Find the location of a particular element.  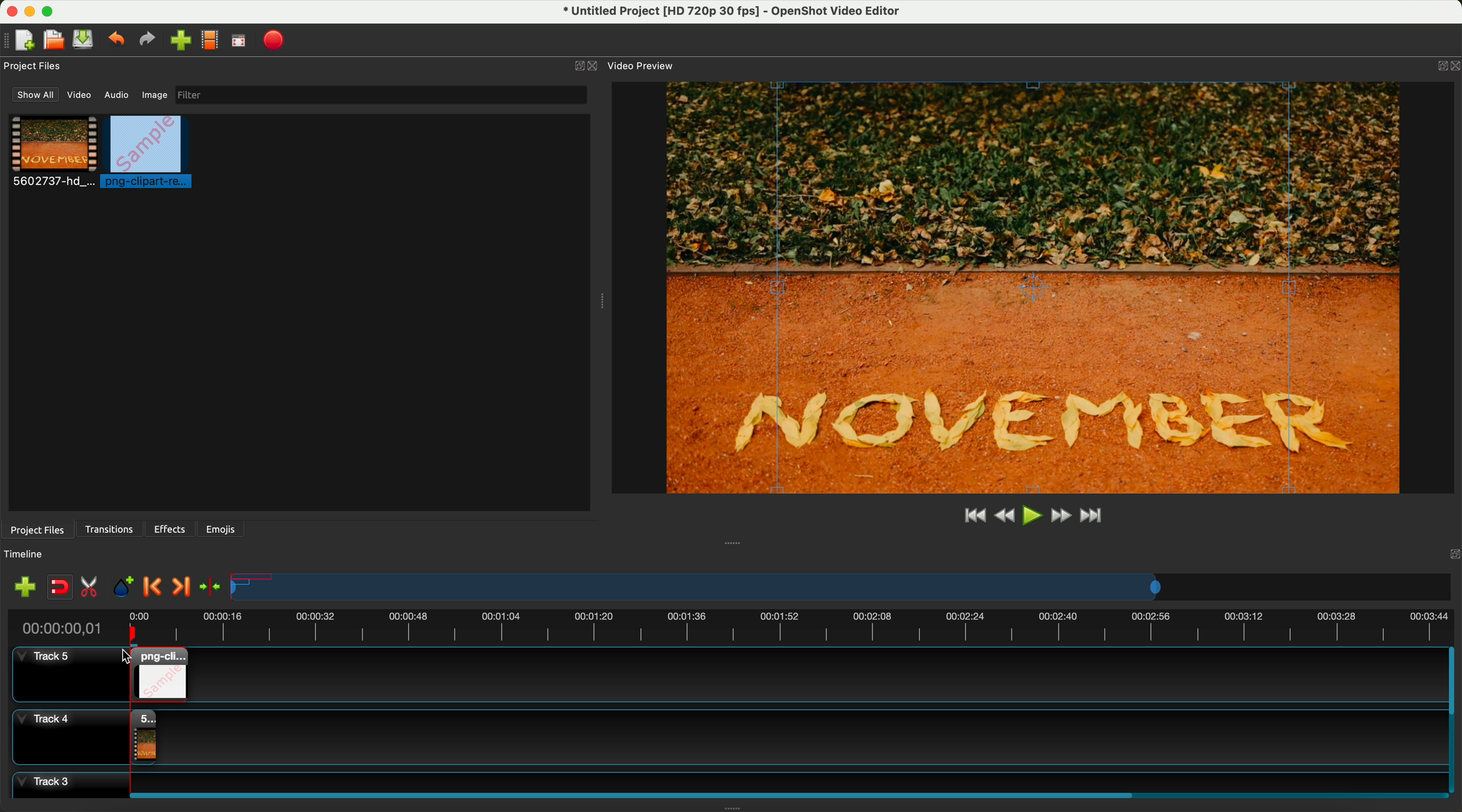

fast foward is located at coordinates (1060, 517).